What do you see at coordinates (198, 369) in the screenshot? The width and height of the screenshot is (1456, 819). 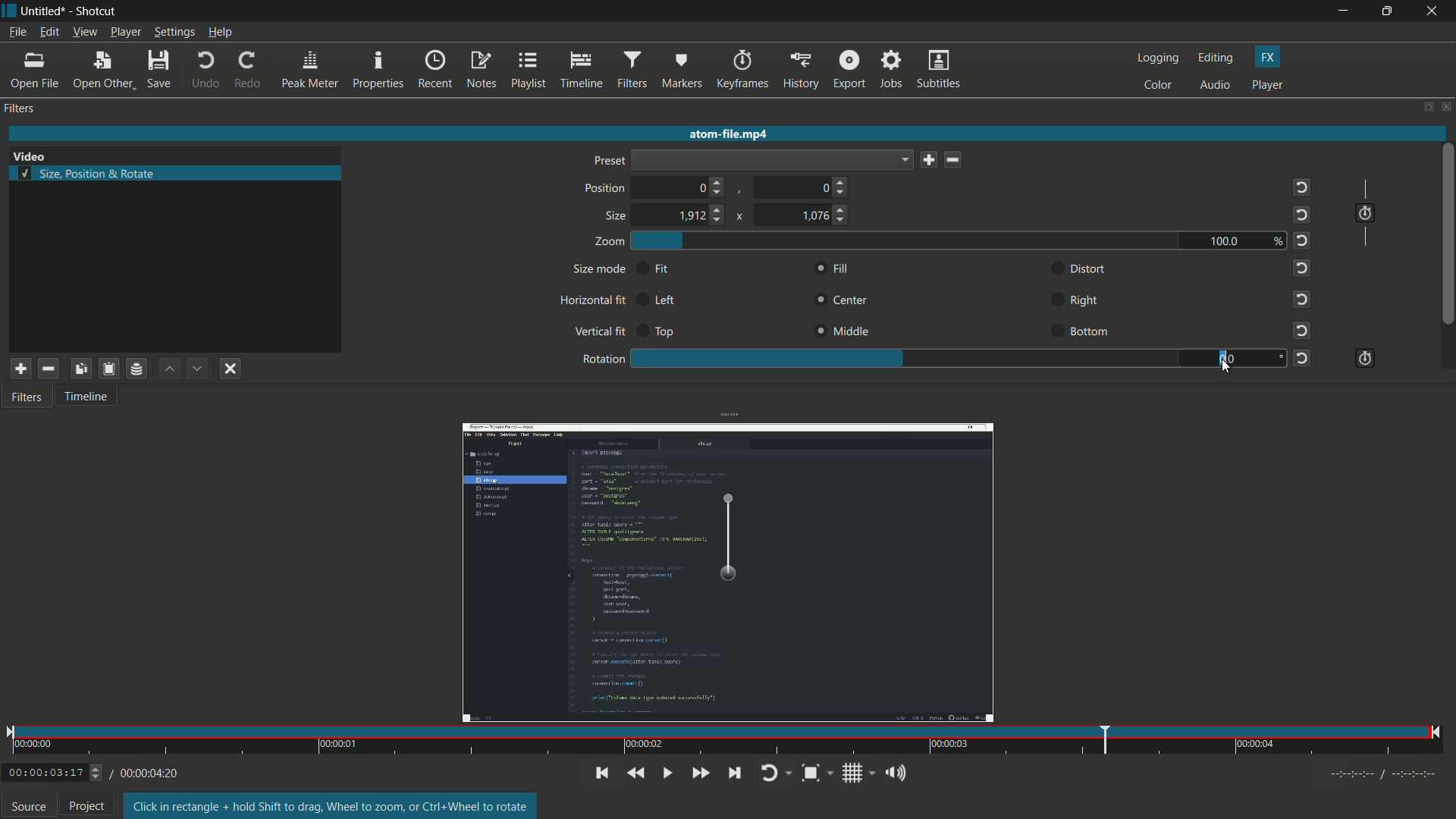 I see `move filter down` at bounding box center [198, 369].